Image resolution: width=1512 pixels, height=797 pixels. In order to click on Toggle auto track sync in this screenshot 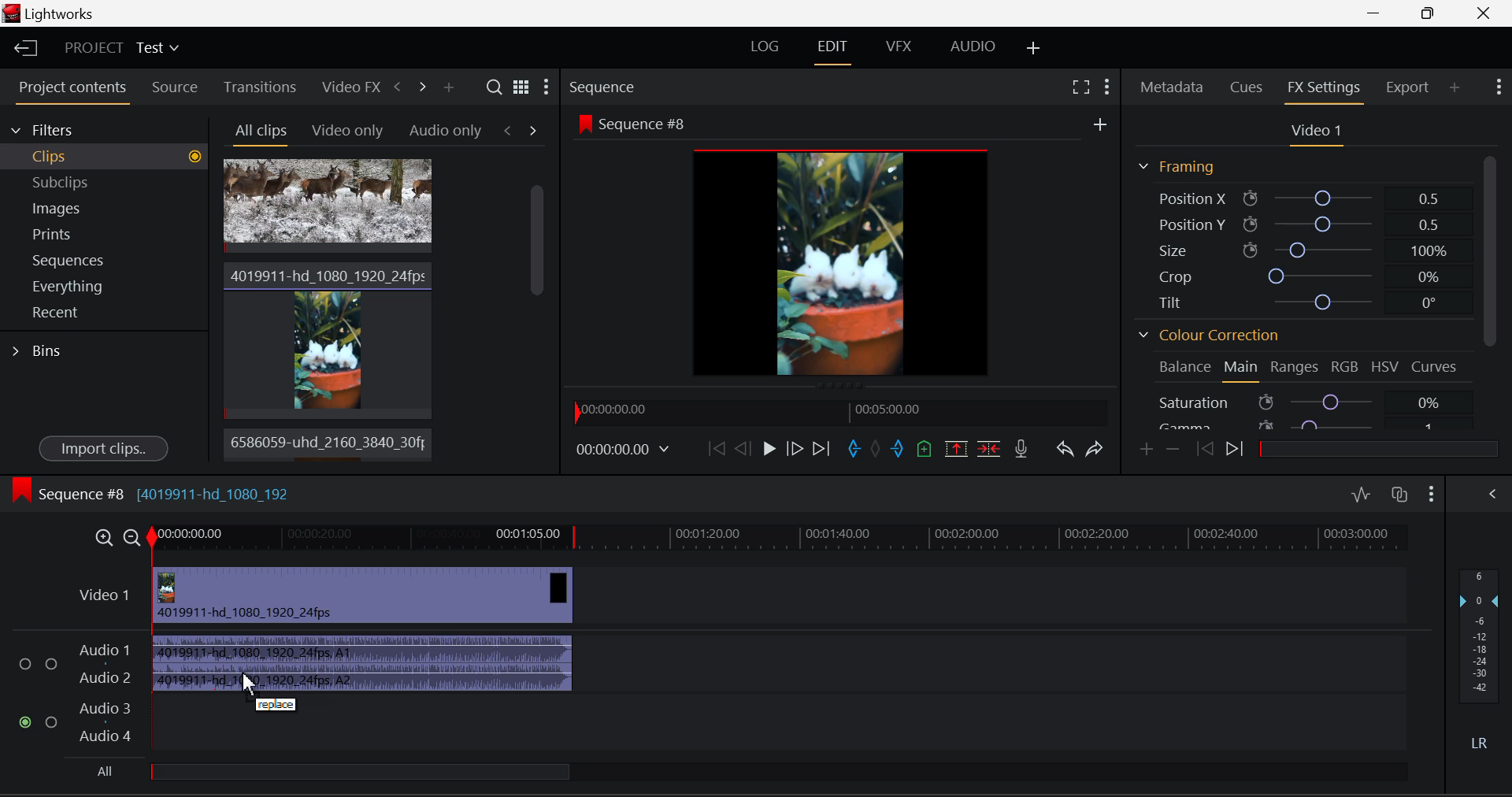, I will do `click(1399, 495)`.